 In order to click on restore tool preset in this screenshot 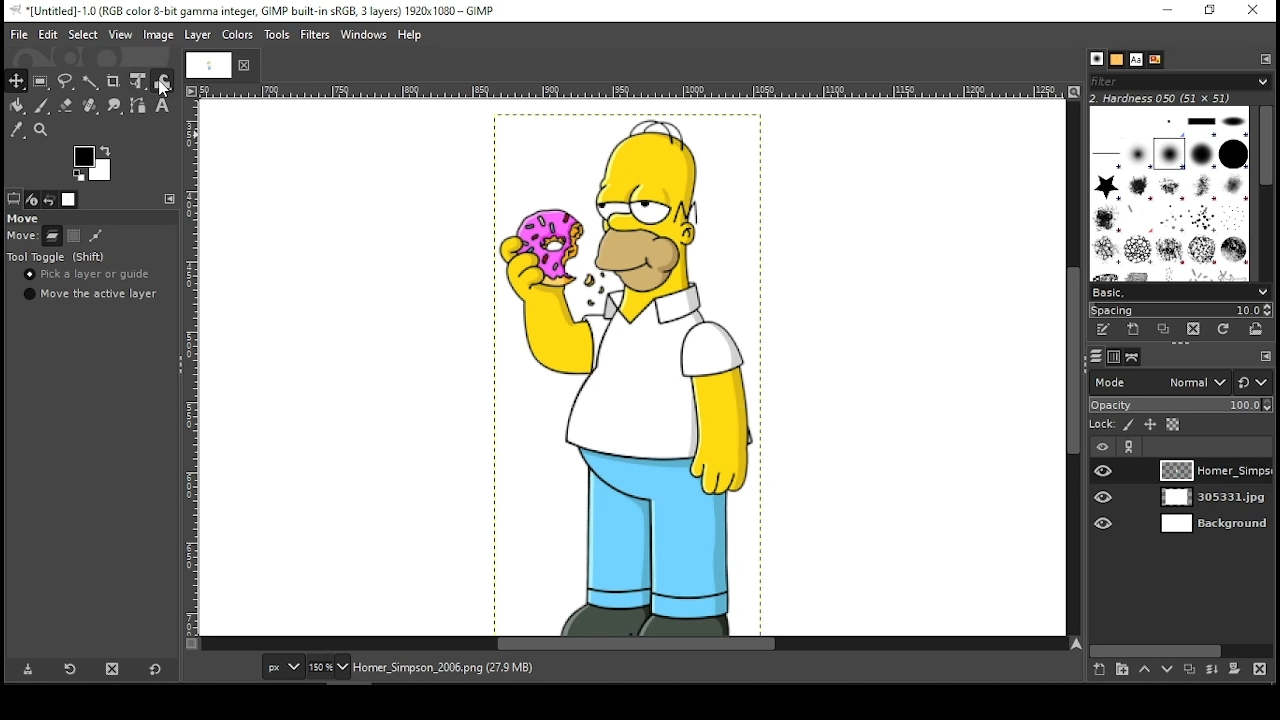, I will do `click(69, 668)`.